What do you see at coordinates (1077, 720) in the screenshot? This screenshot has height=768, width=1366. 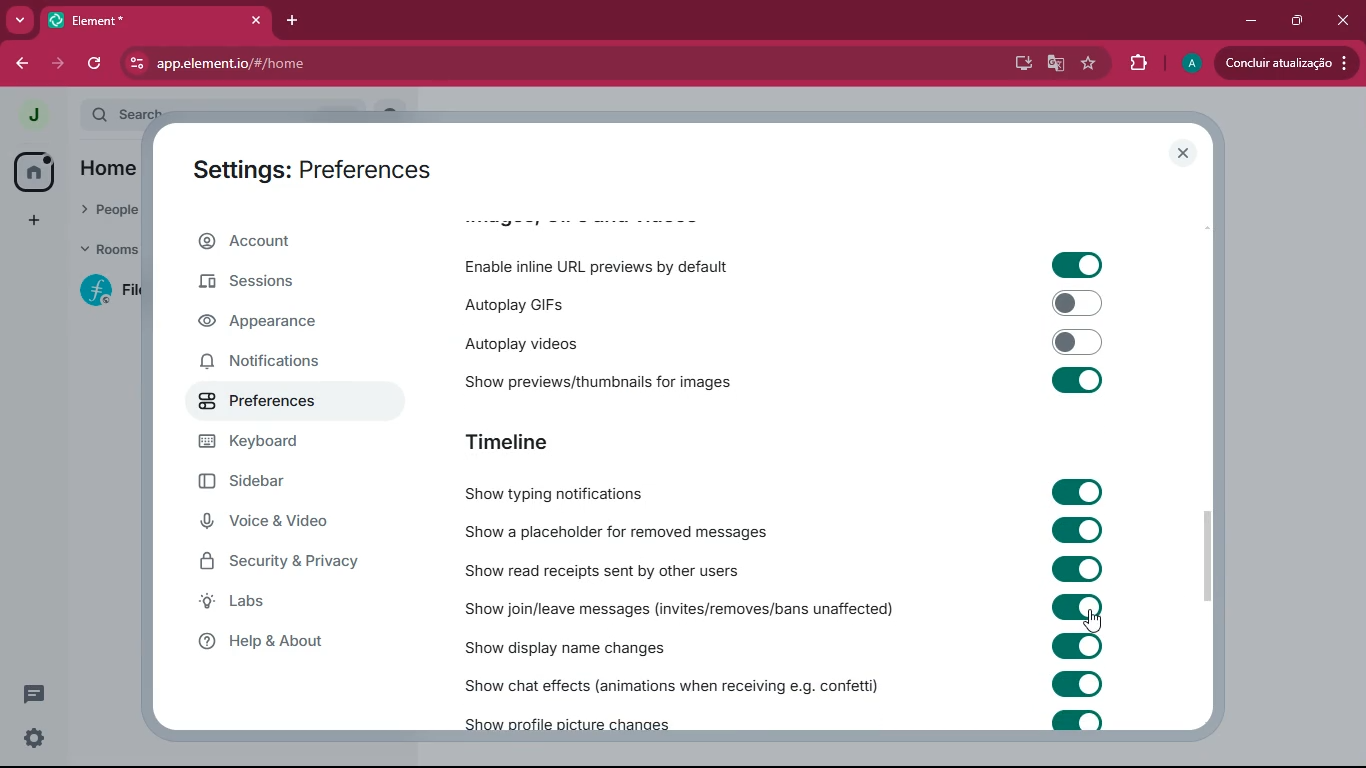 I see `toggle on/off` at bounding box center [1077, 720].